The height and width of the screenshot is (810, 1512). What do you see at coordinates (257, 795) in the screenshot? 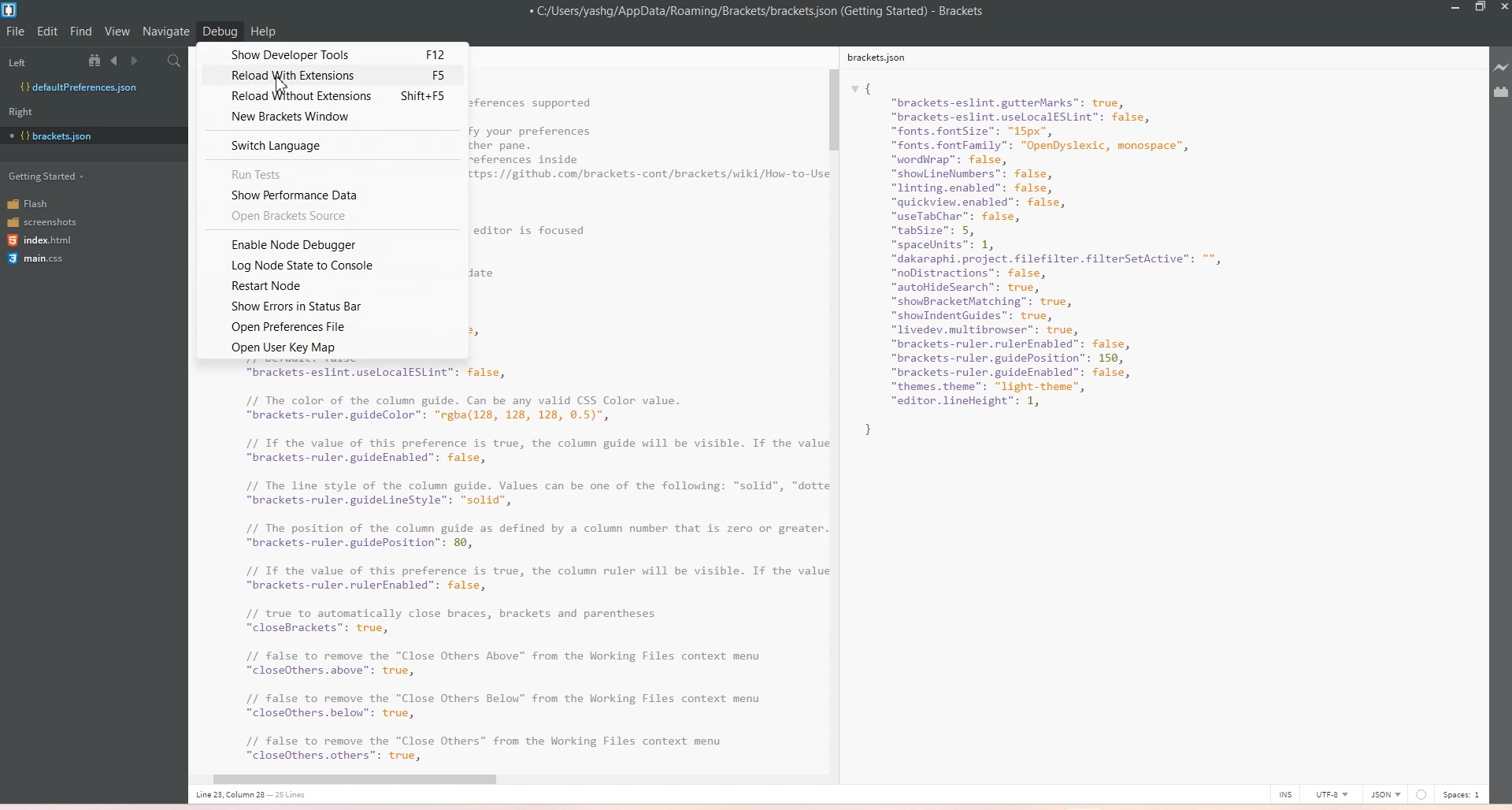
I see `Line 23, Column 27 - 25 Lines` at bounding box center [257, 795].